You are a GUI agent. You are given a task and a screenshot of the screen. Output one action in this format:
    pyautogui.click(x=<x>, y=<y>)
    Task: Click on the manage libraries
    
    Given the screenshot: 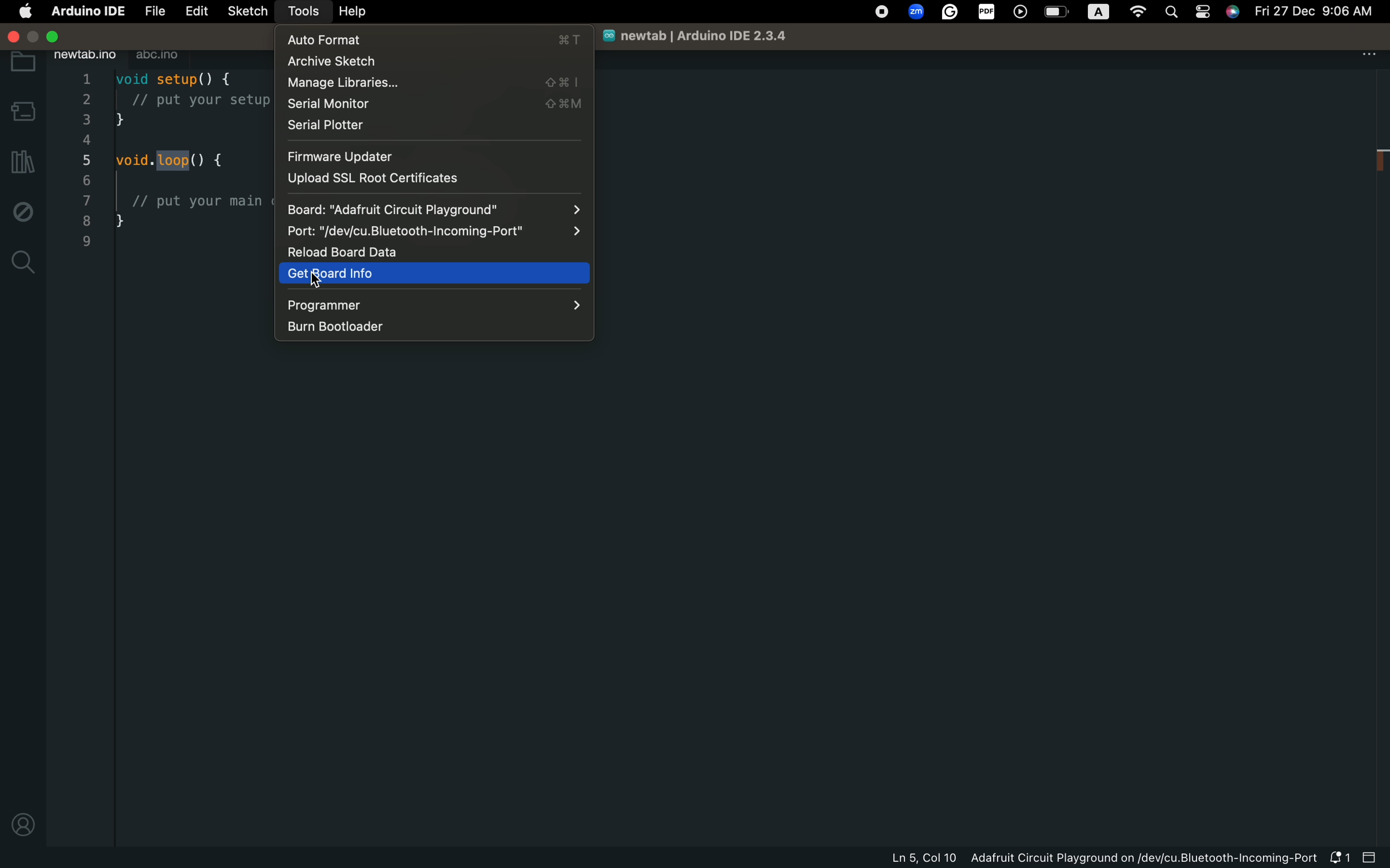 What is the action you would take?
    pyautogui.click(x=435, y=82)
    